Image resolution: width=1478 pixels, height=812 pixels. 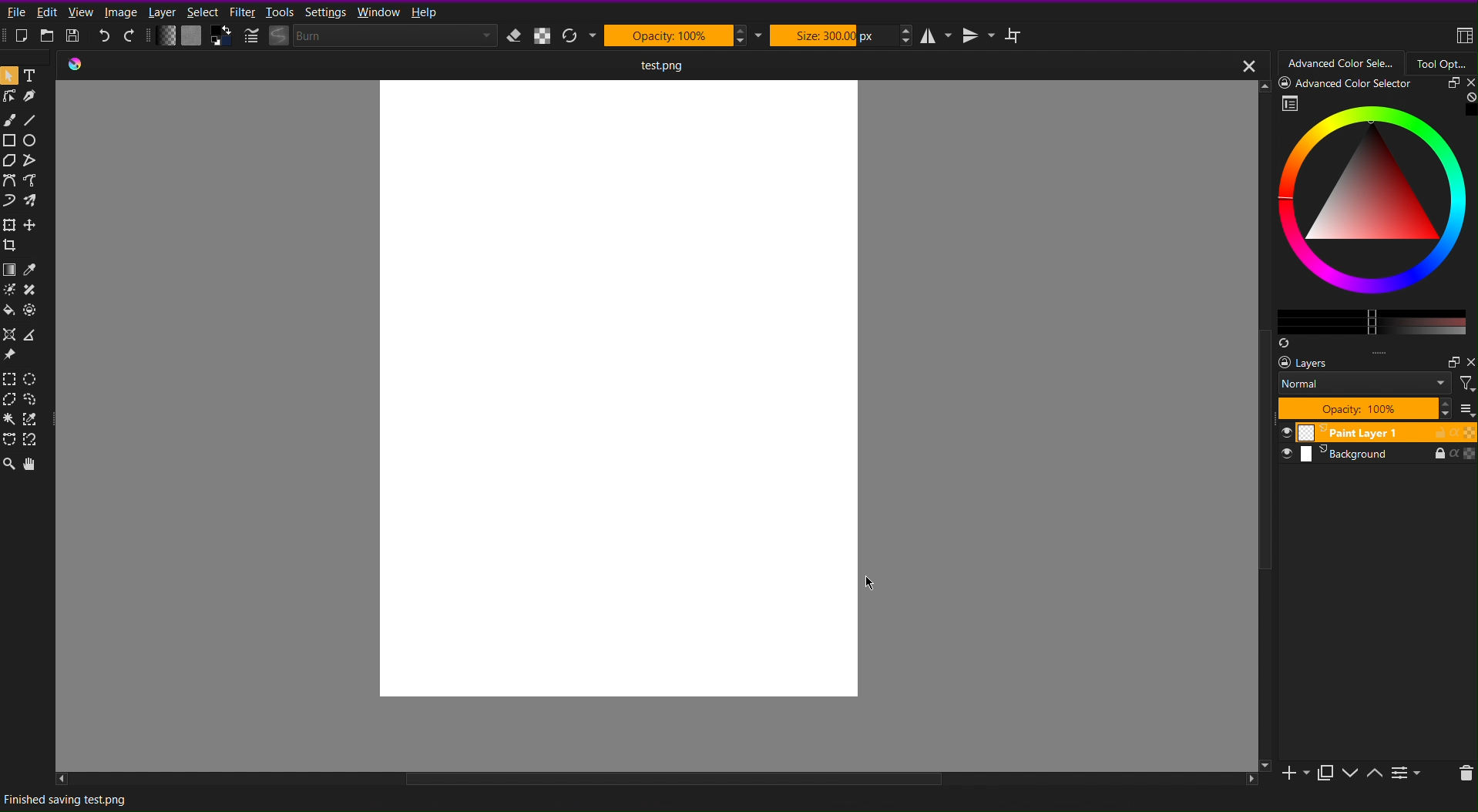 I want to click on Vertical Mirror, so click(x=977, y=34).